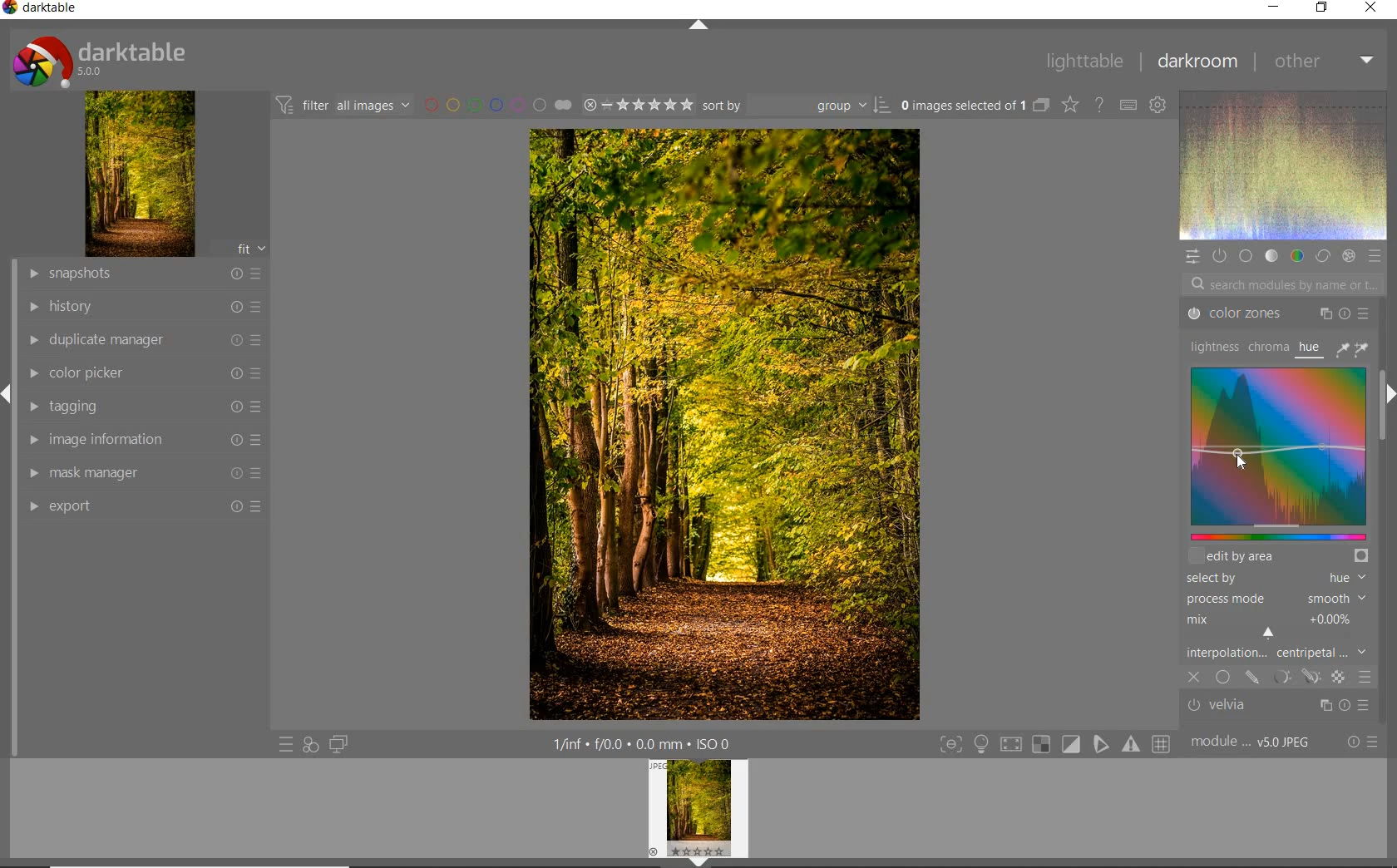  I want to click on COLLAPSE GROUPED IMAGES, so click(1042, 105).